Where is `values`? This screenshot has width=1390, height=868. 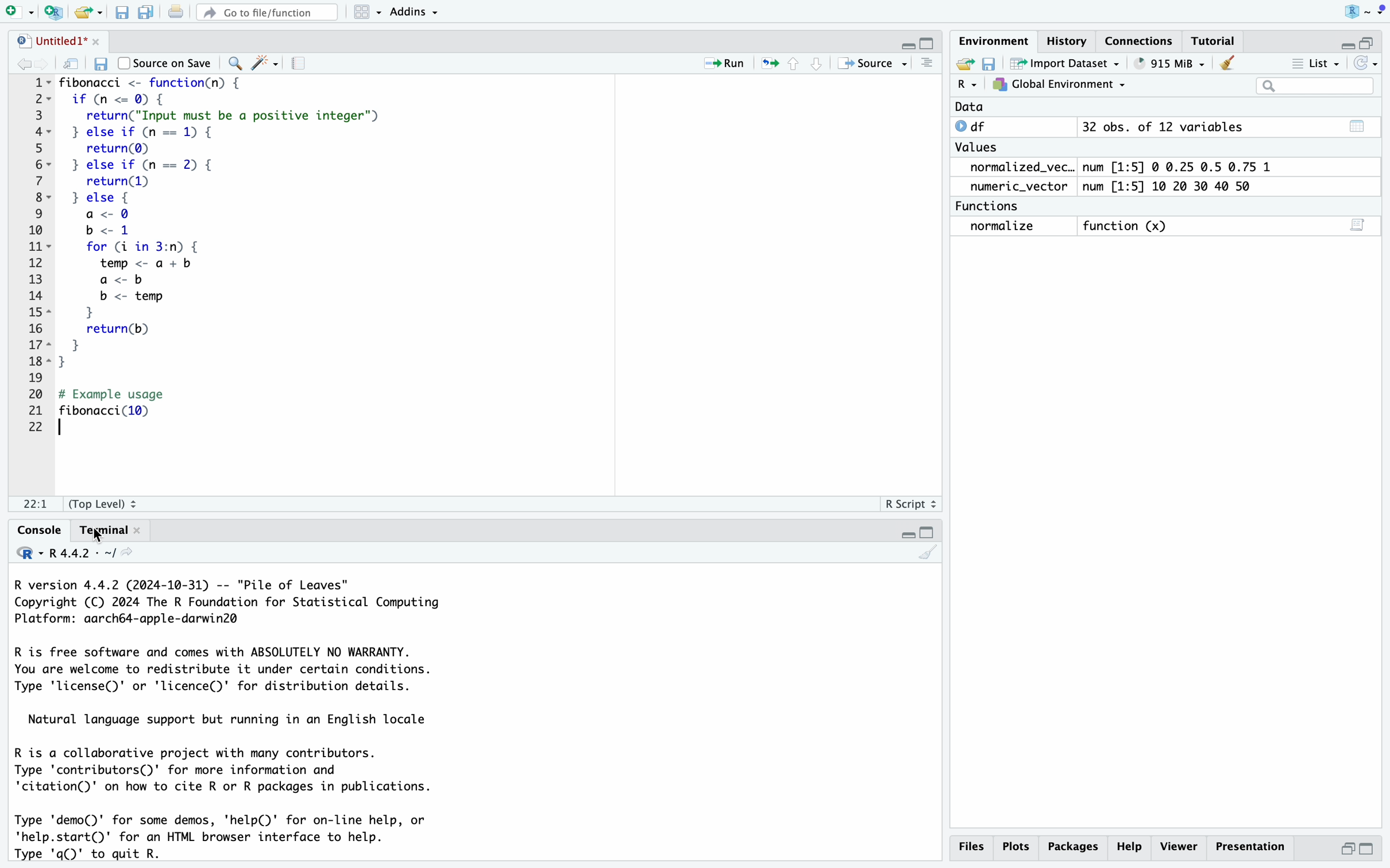
values is located at coordinates (979, 147).